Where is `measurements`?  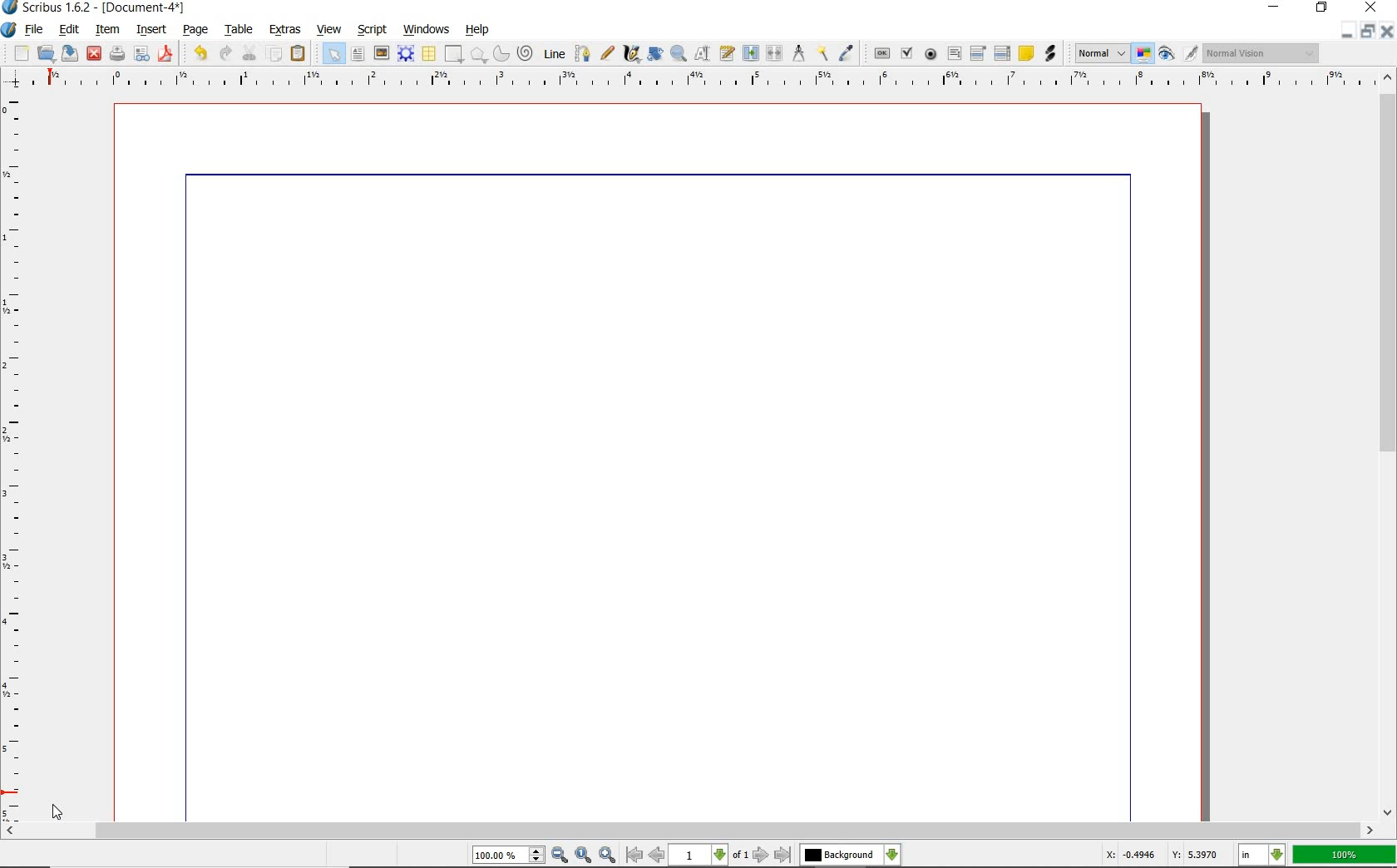 measurements is located at coordinates (799, 54).